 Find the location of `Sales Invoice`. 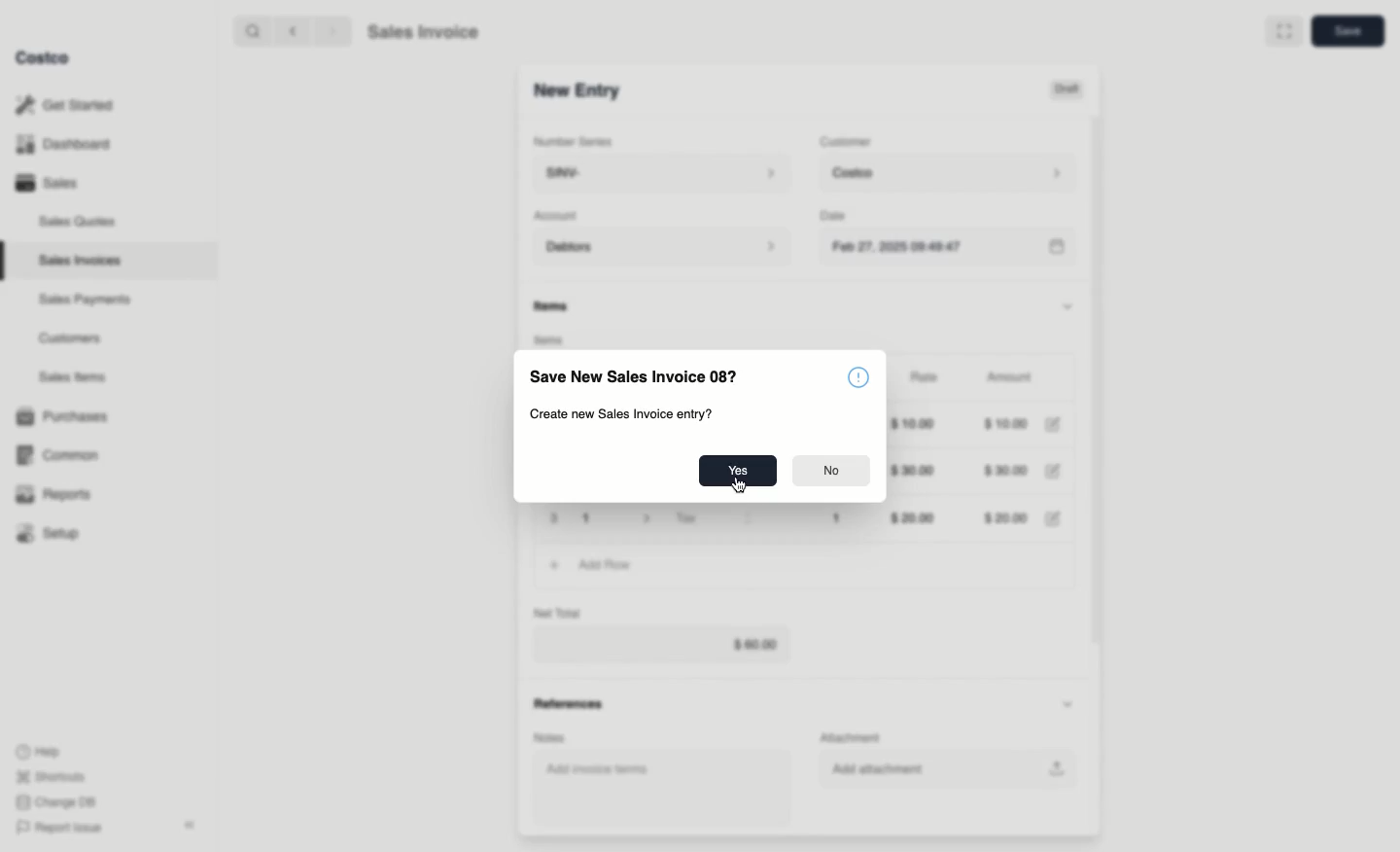

Sales Invoice is located at coordinates (422, 32).